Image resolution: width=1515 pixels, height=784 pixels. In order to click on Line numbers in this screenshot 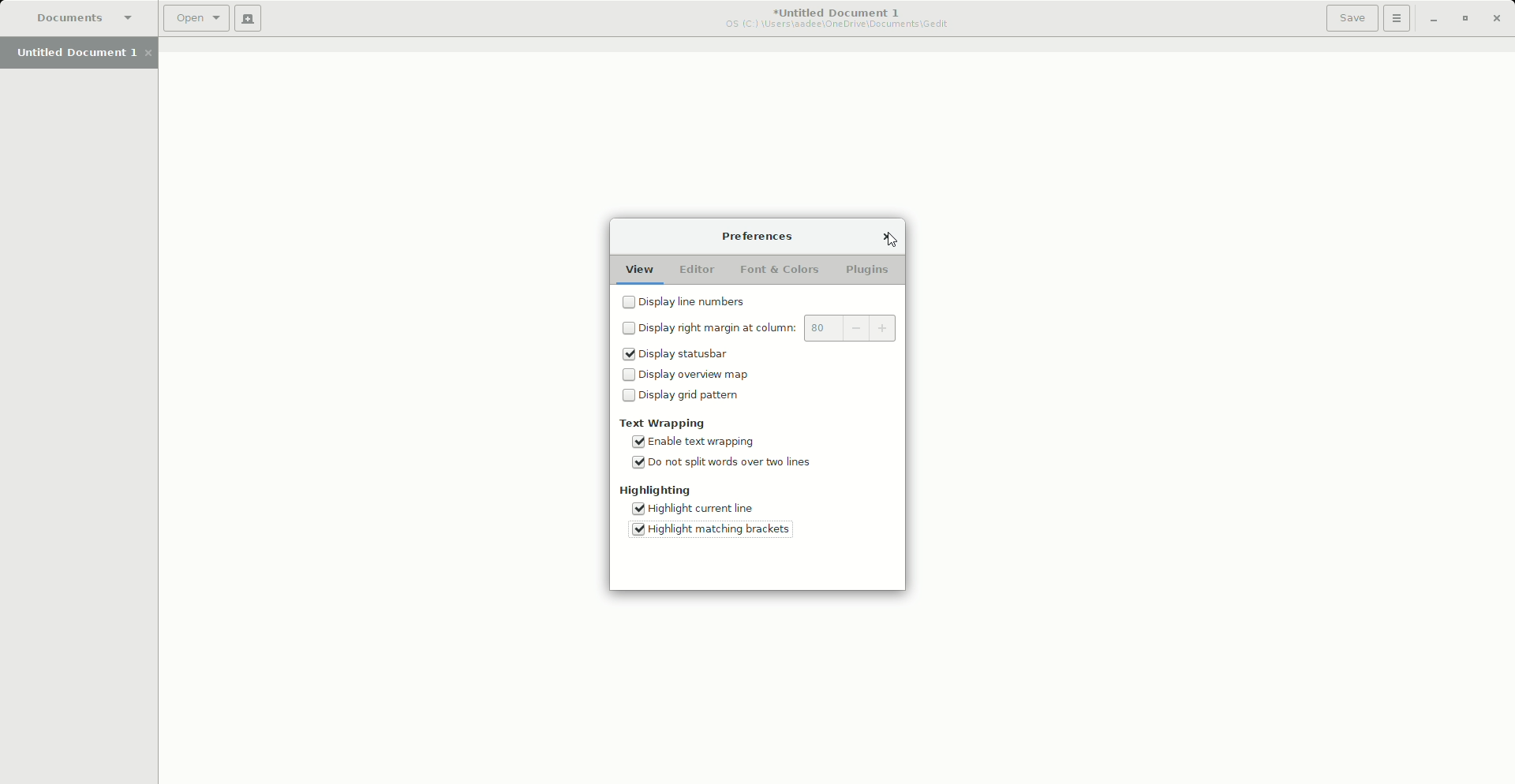, I will do `click(689, 301)`.